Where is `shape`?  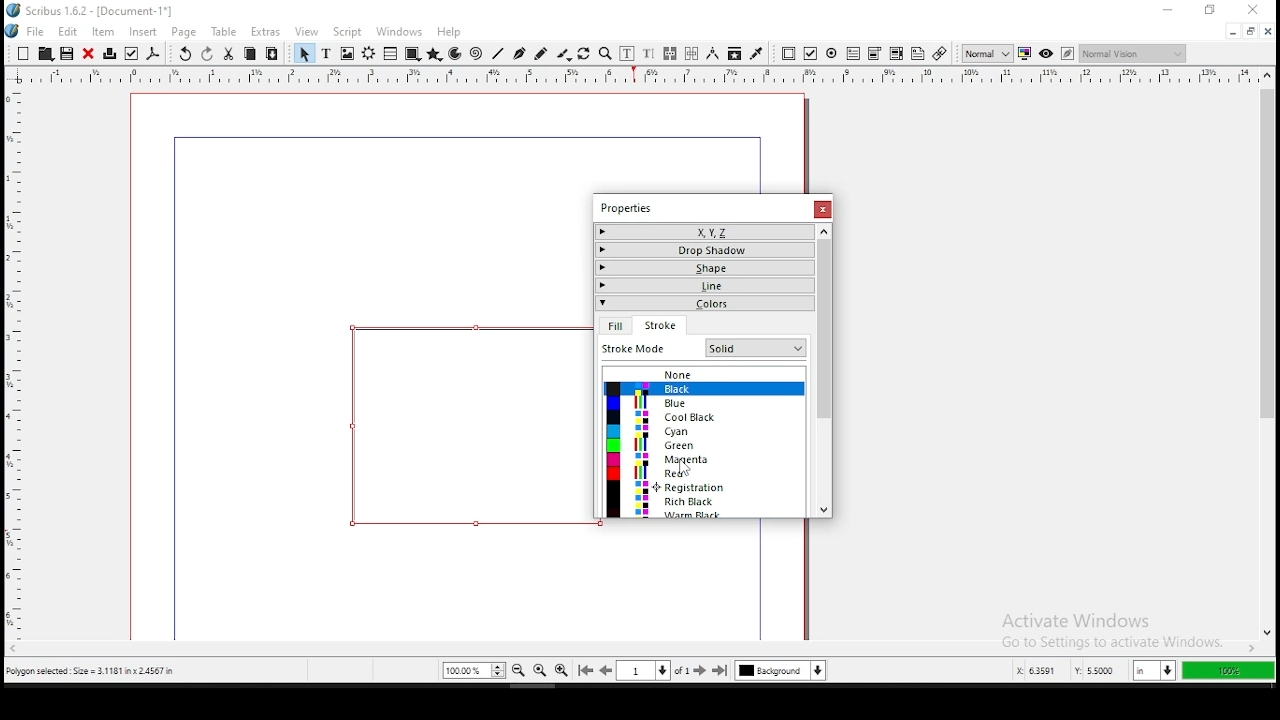
shape is located at coordinates (701, 267).